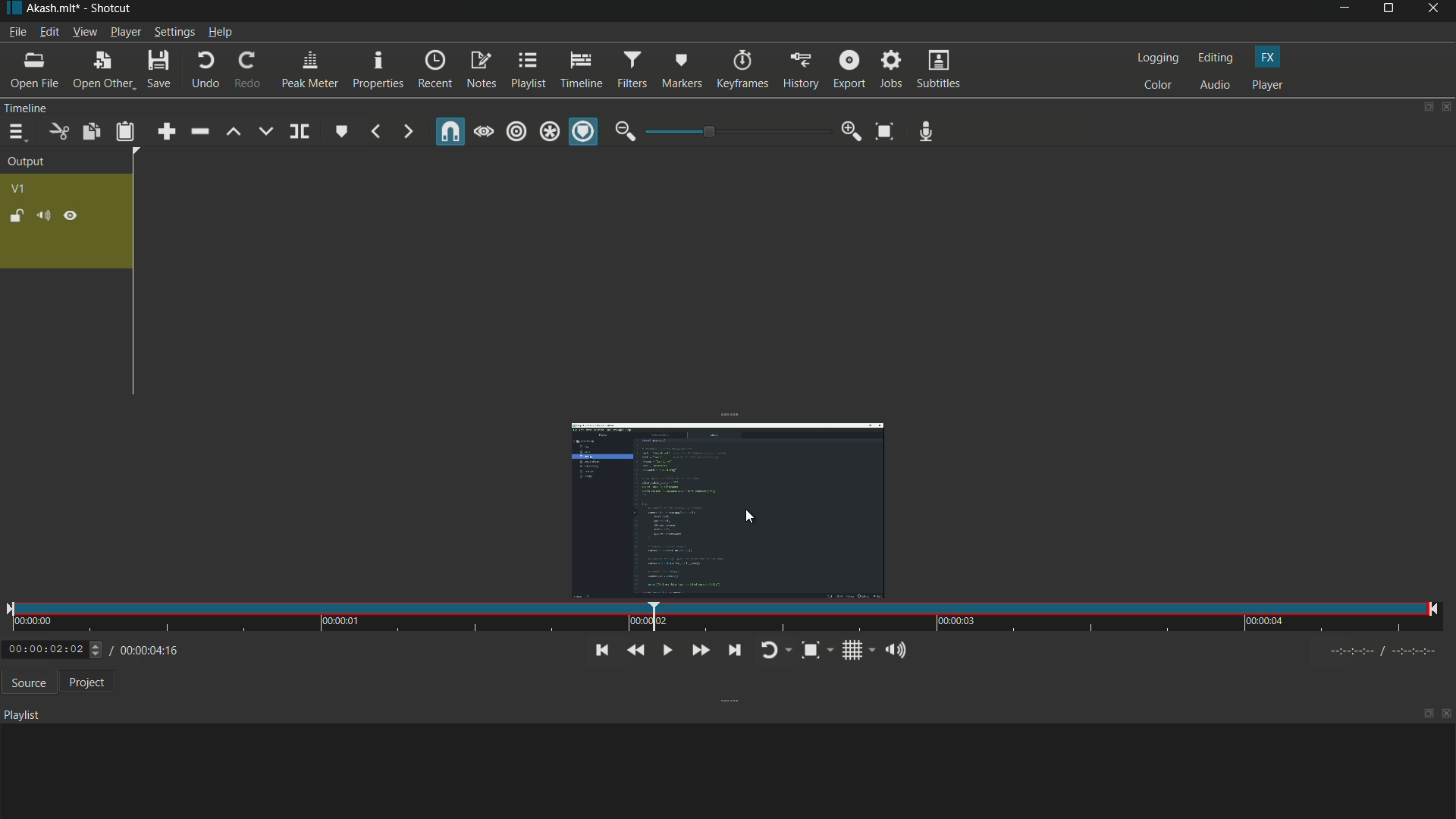 This screenshot has width=1456, height=819. Describe the element at coordinates (83, 682) in the screenshot. I see `project` at that location.